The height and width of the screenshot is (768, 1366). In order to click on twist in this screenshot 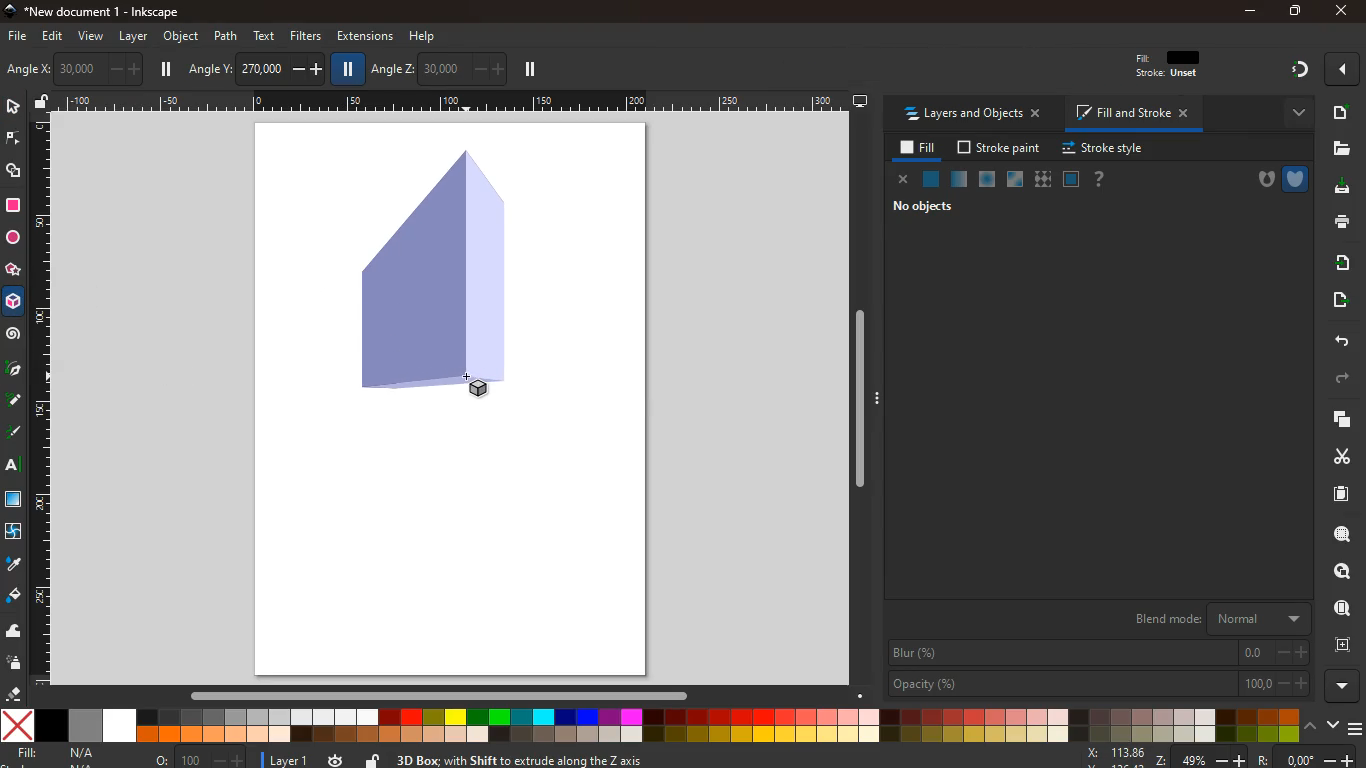, I will do `click(13, 531)`.